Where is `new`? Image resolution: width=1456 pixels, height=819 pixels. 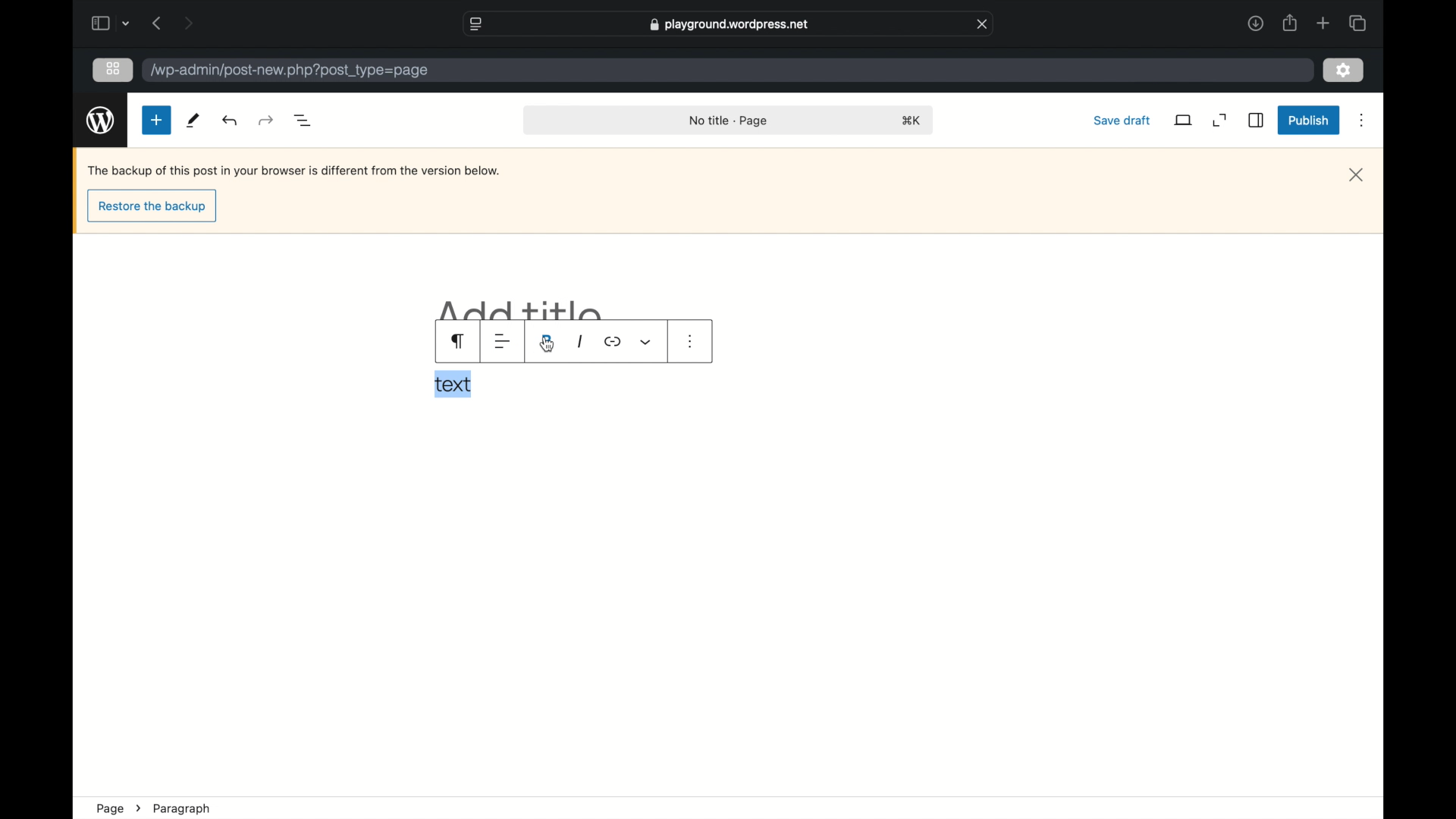
new is located at coordinates (156, 121).